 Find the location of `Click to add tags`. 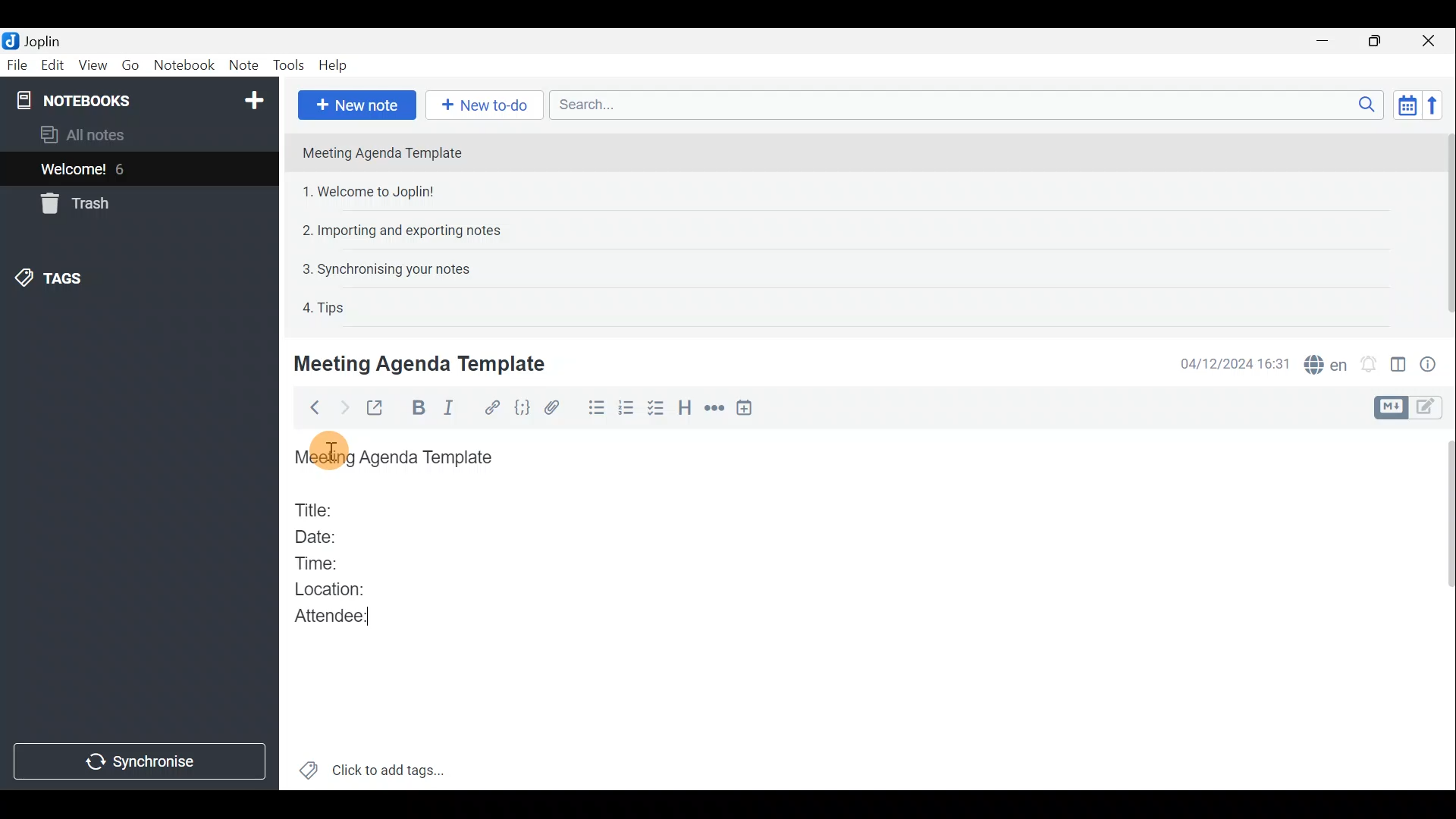

Click to add tags is located at coordinates (393, 767).